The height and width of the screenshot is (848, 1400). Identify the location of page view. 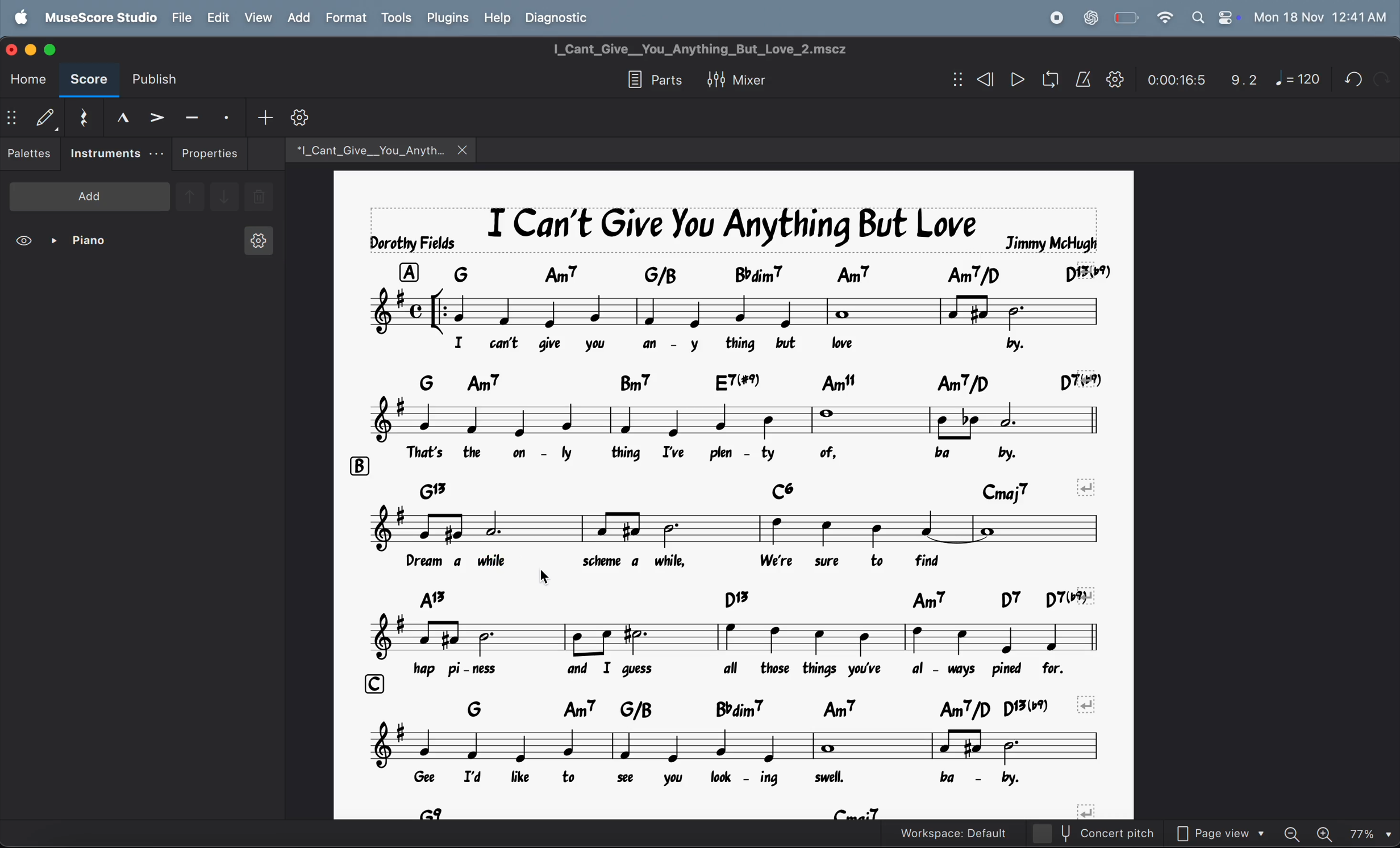
(1218, 831).